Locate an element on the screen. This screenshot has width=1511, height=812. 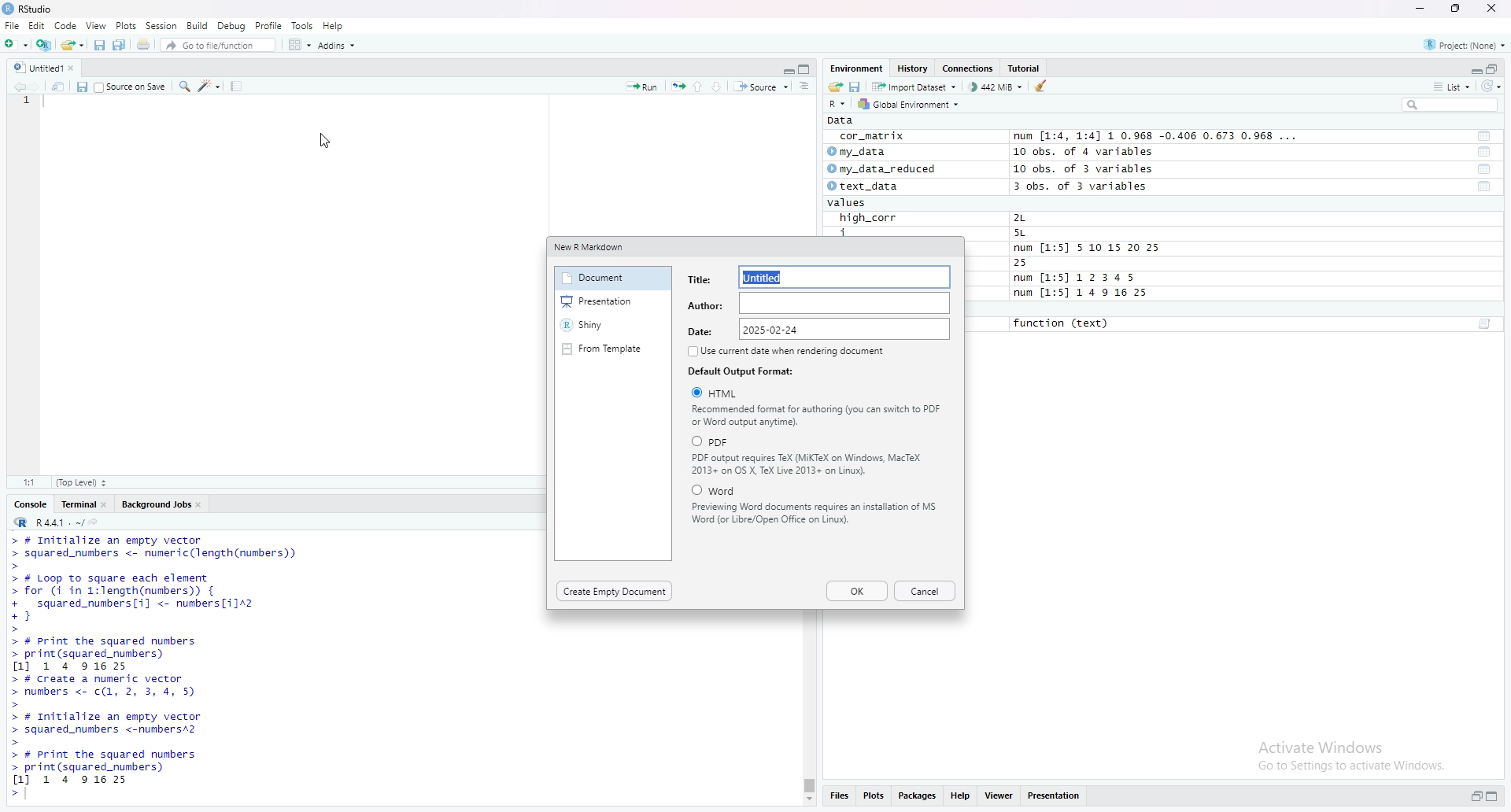
Move back is located at coordinates (15, 87).